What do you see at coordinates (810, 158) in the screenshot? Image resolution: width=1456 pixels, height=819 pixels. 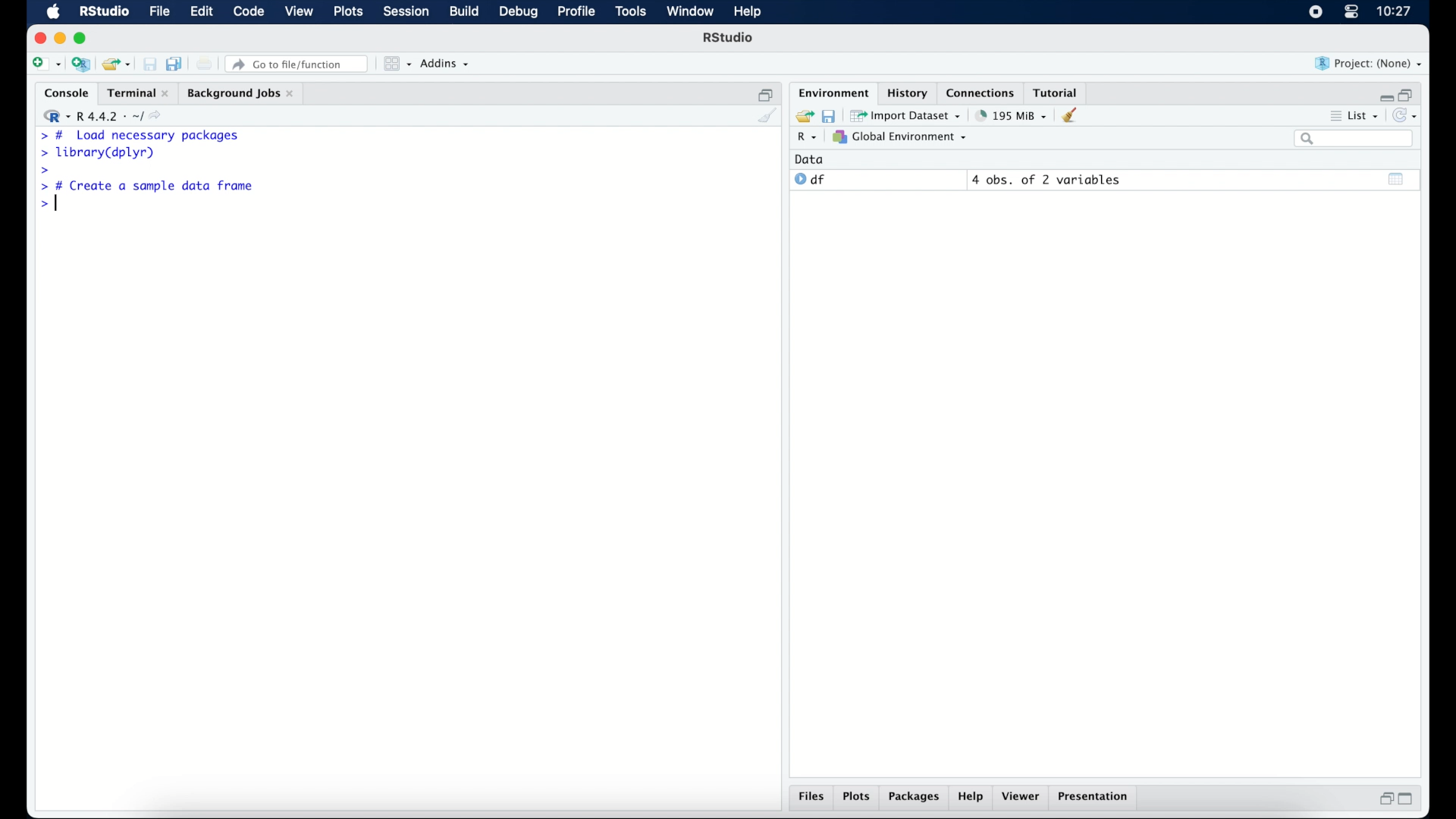 I see `date` at bounding box center [810, 158].